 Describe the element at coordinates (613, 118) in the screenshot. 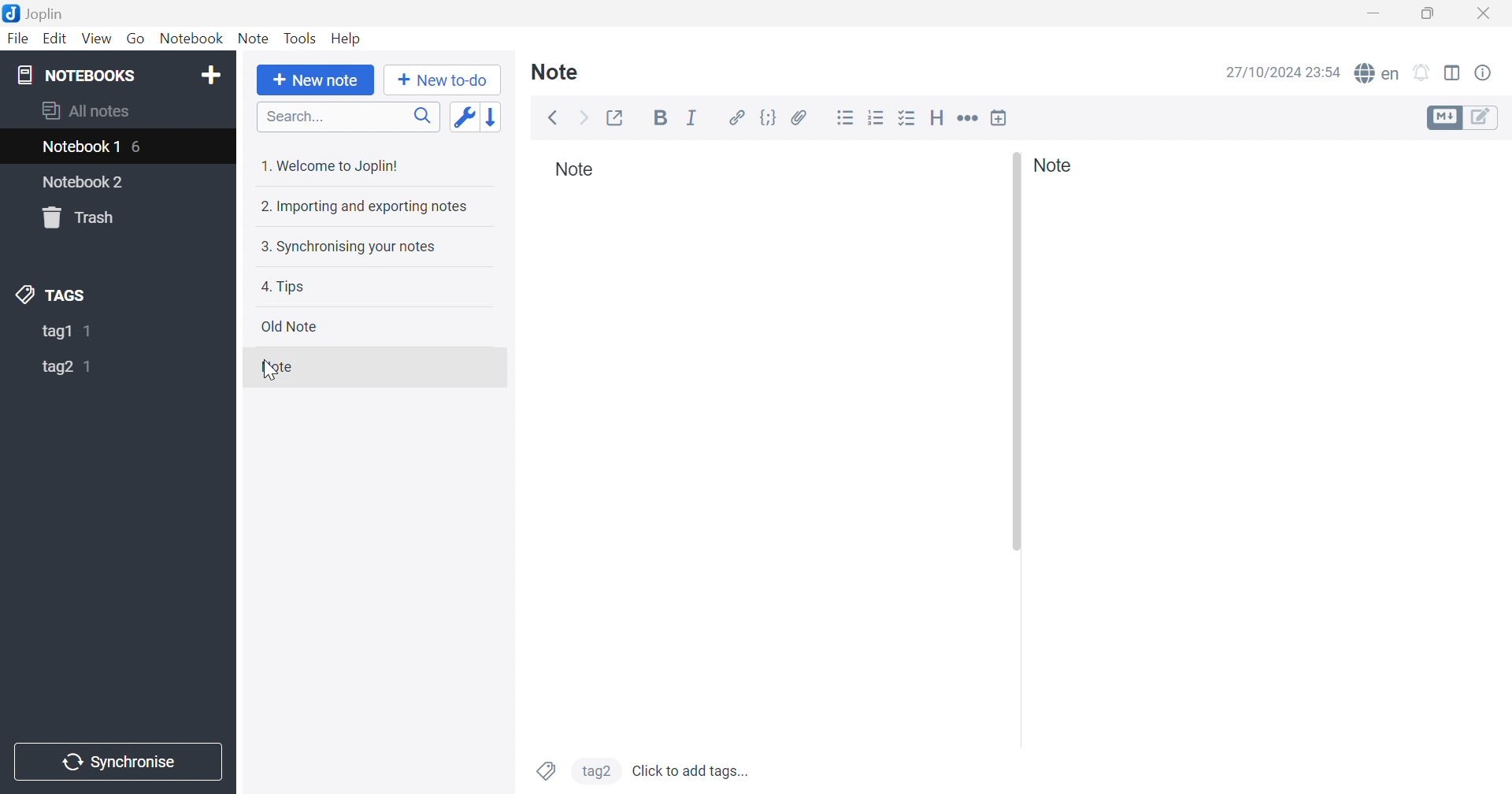

I see `Toggle external editing` at that location.